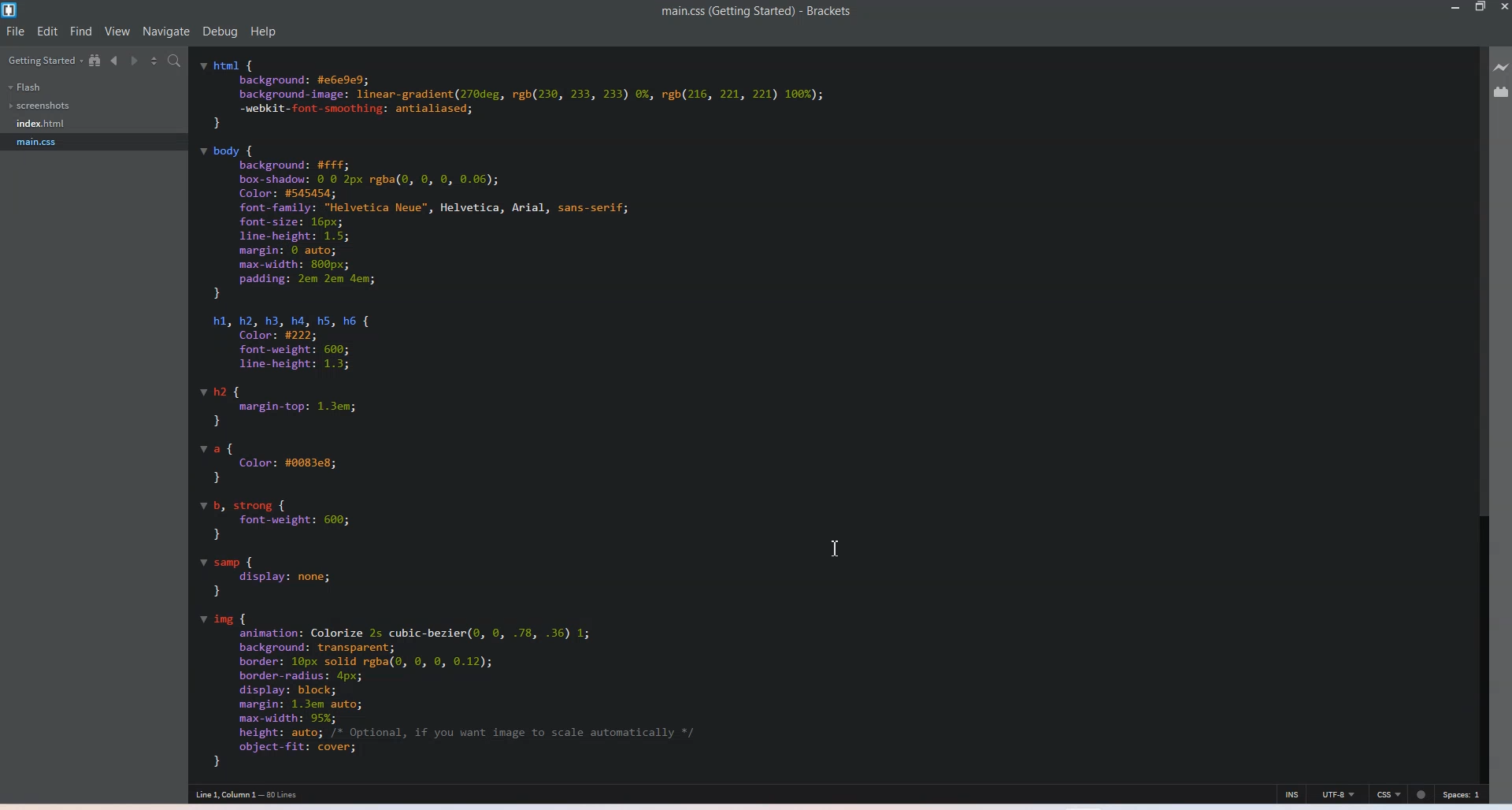 Image resolution: width=1512 pixels, height=810 pixels. I want to click on Minimize, so click(1456, 6).